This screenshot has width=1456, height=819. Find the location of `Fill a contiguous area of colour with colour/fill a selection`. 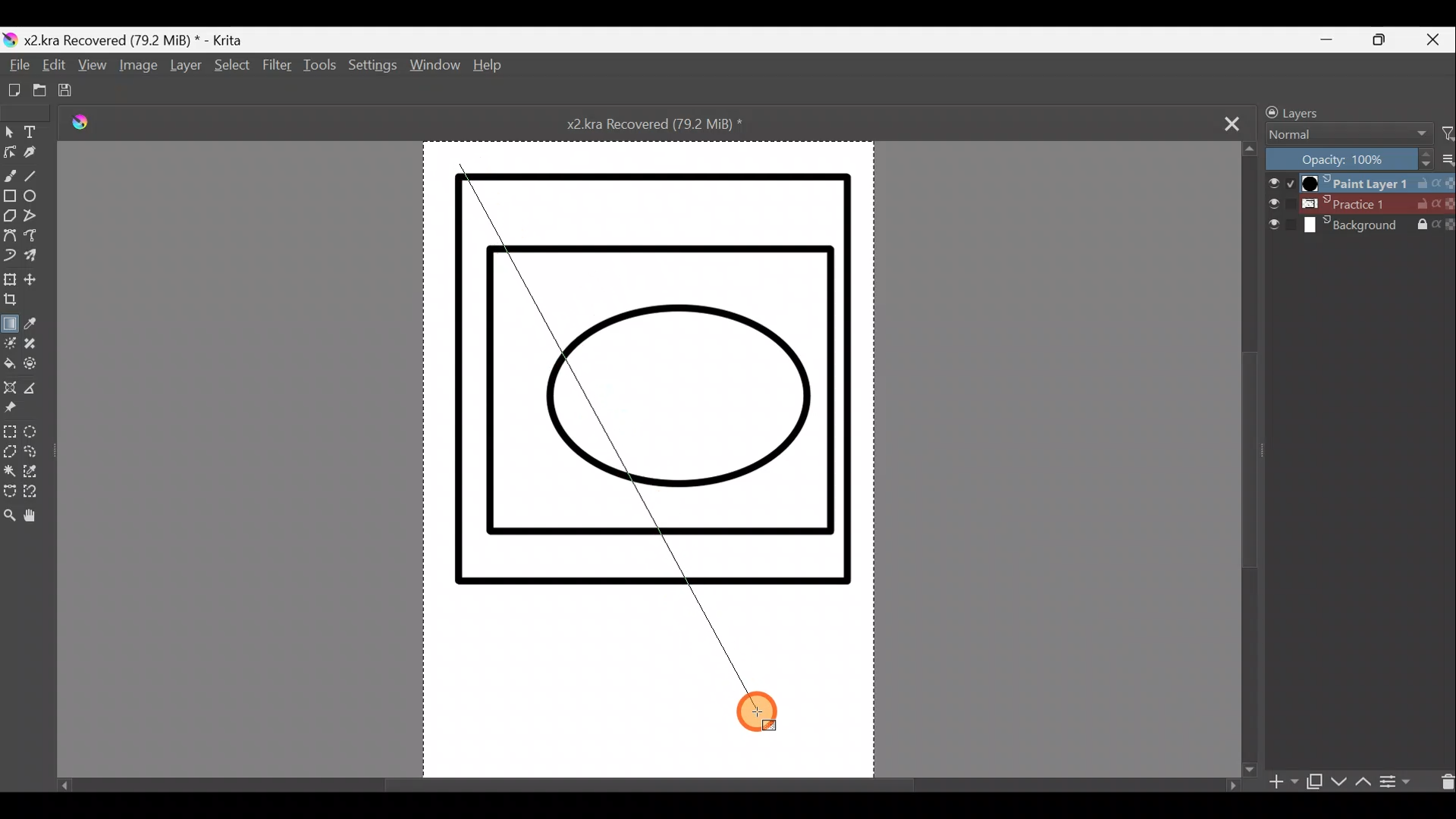

Fill a contiguous area of colour with colour/fill a selection is located at coordinates (9, 366).